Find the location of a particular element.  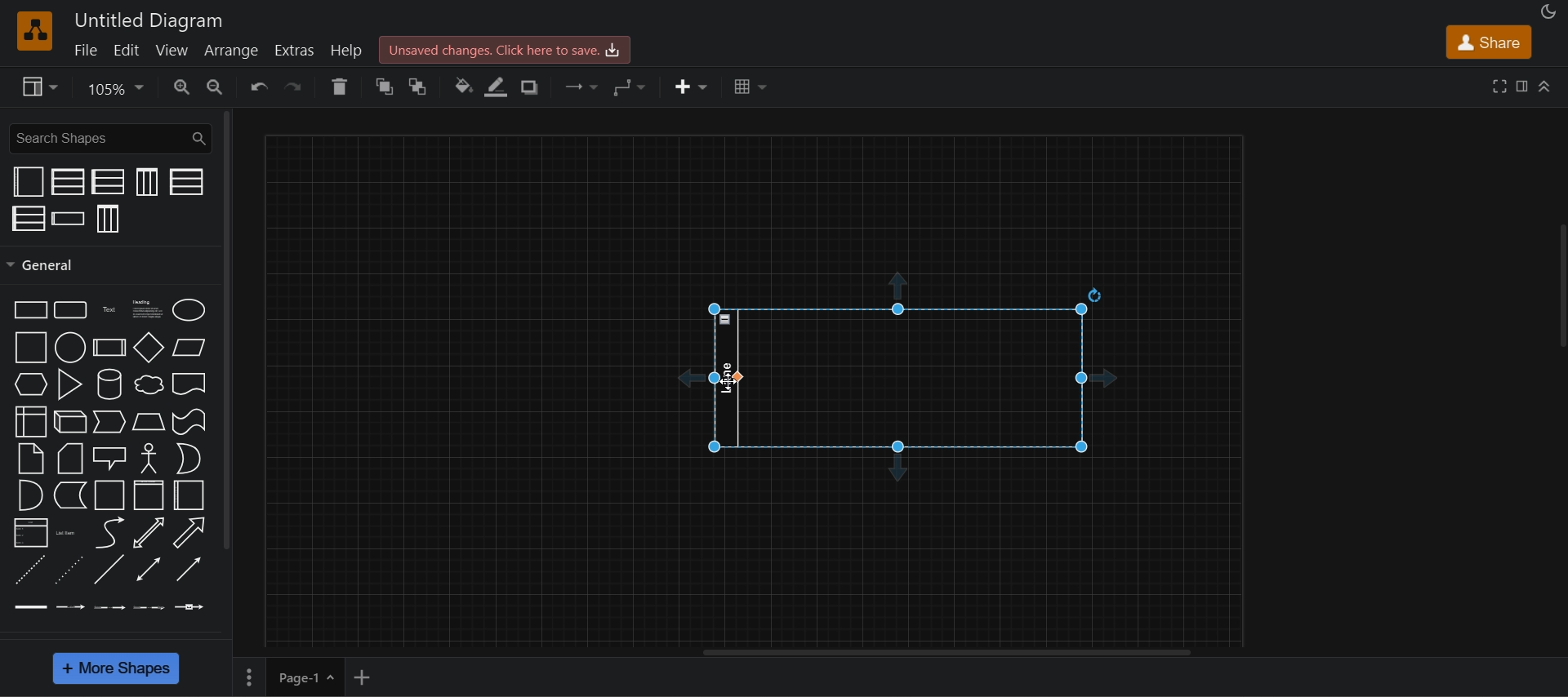

heading text box is located at coordinates (145, 311).